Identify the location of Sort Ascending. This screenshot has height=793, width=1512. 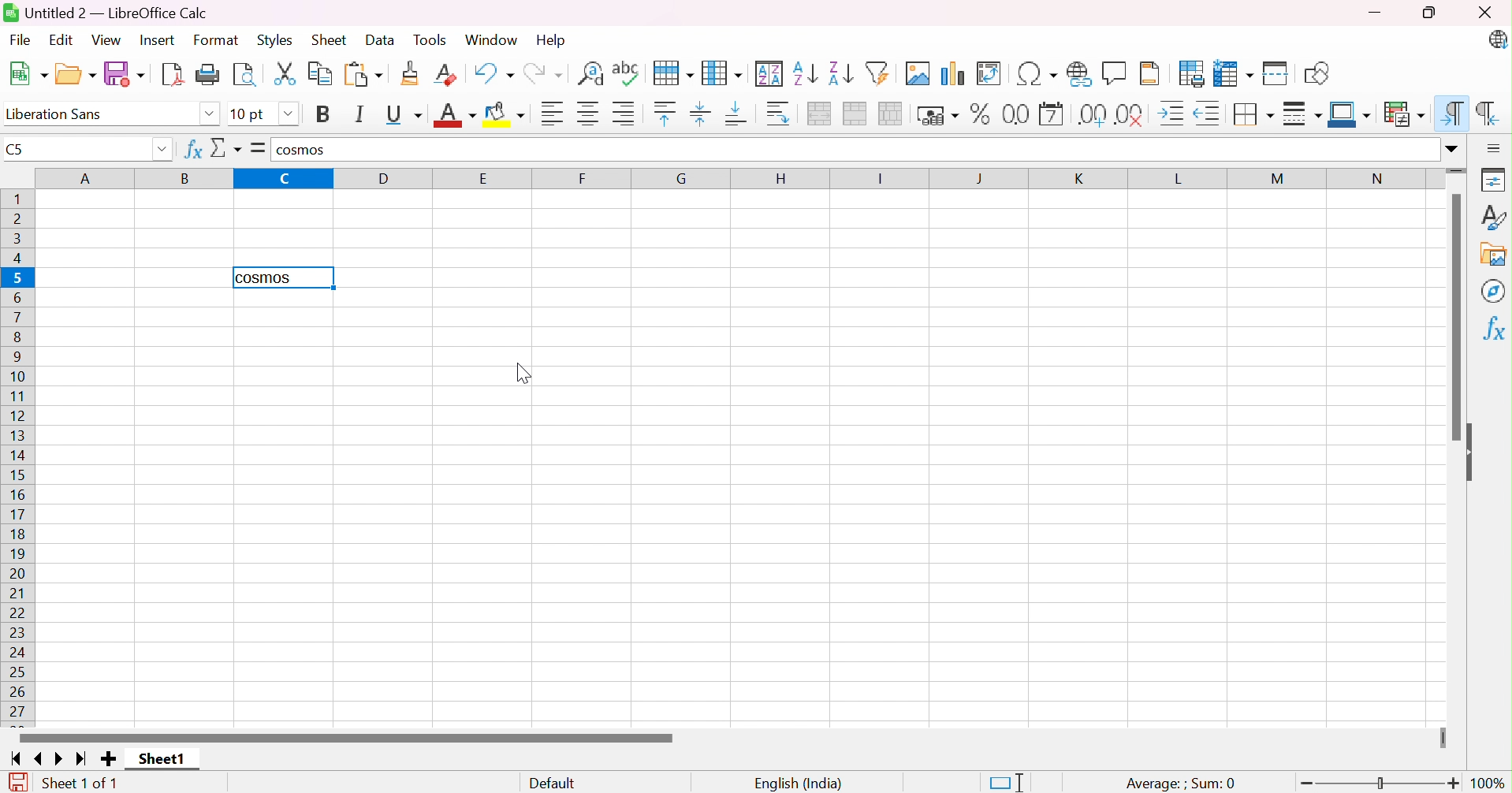
(807, 73).